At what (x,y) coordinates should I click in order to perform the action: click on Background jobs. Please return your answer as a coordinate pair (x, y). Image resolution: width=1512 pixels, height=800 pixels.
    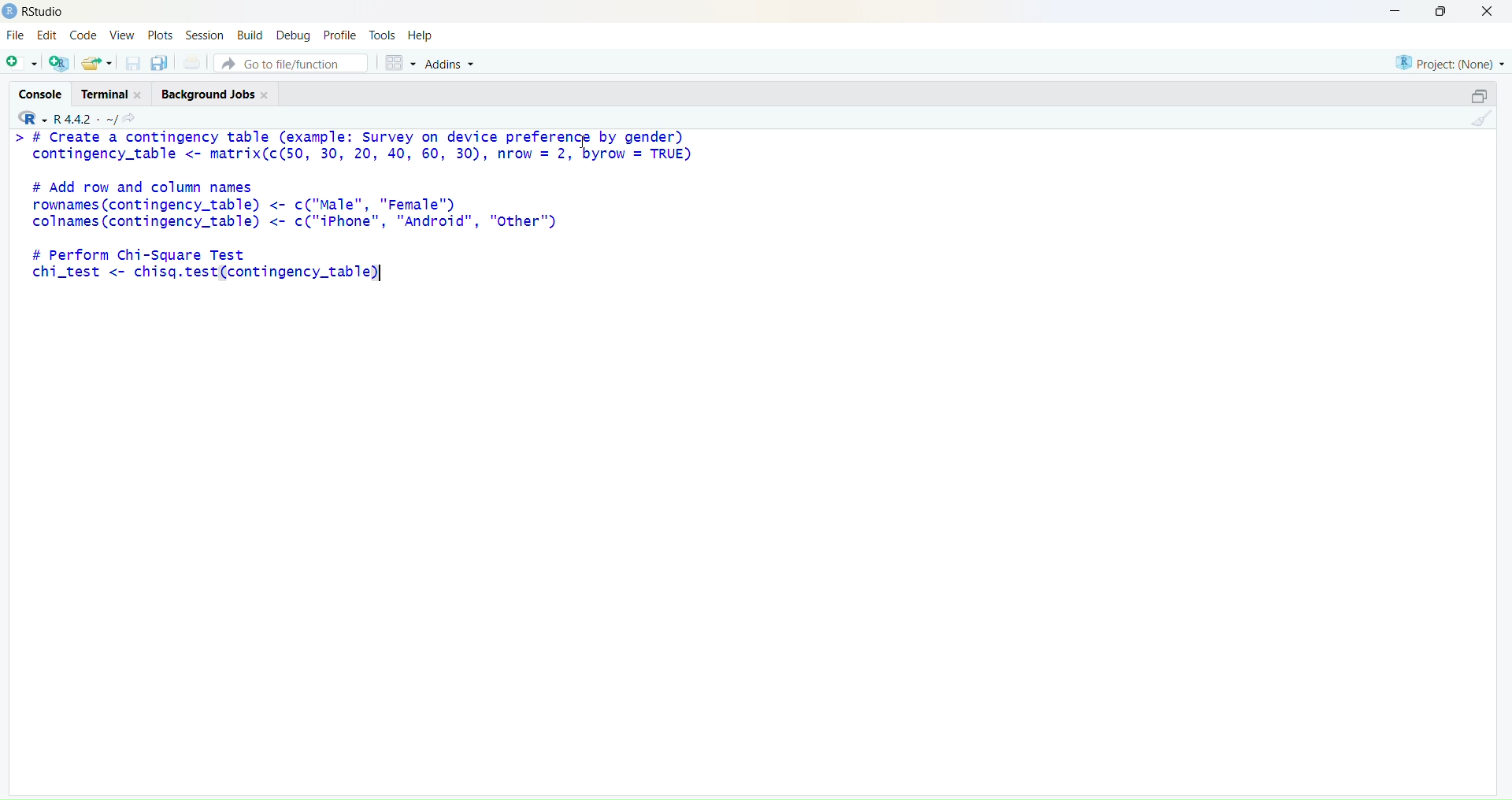
    Looking at the image, I should click on (208, 95).